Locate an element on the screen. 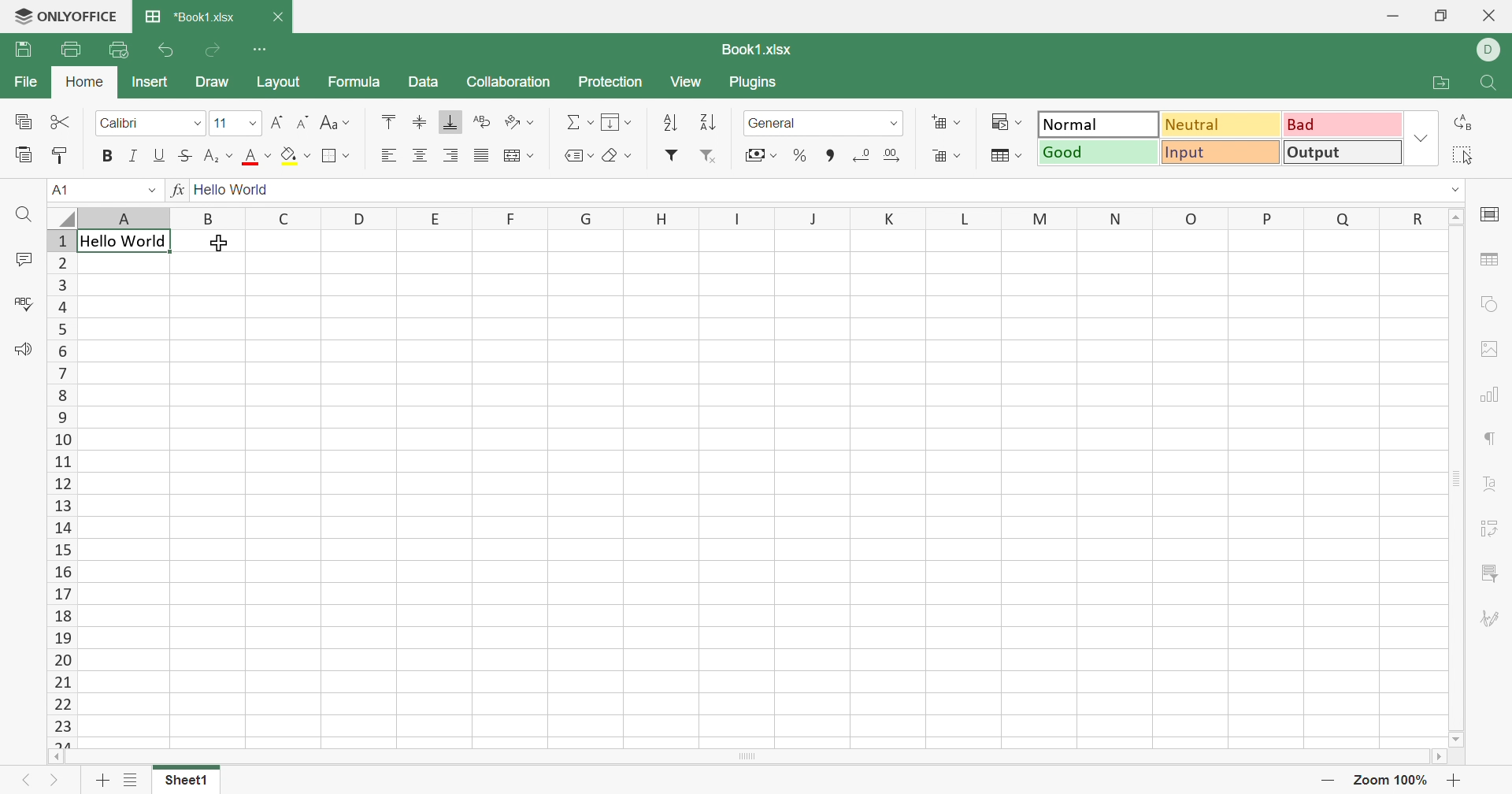 Image resolution: width=1512 pixels, height=794 pixels. Minimize is located at coordinates (1392, 17).